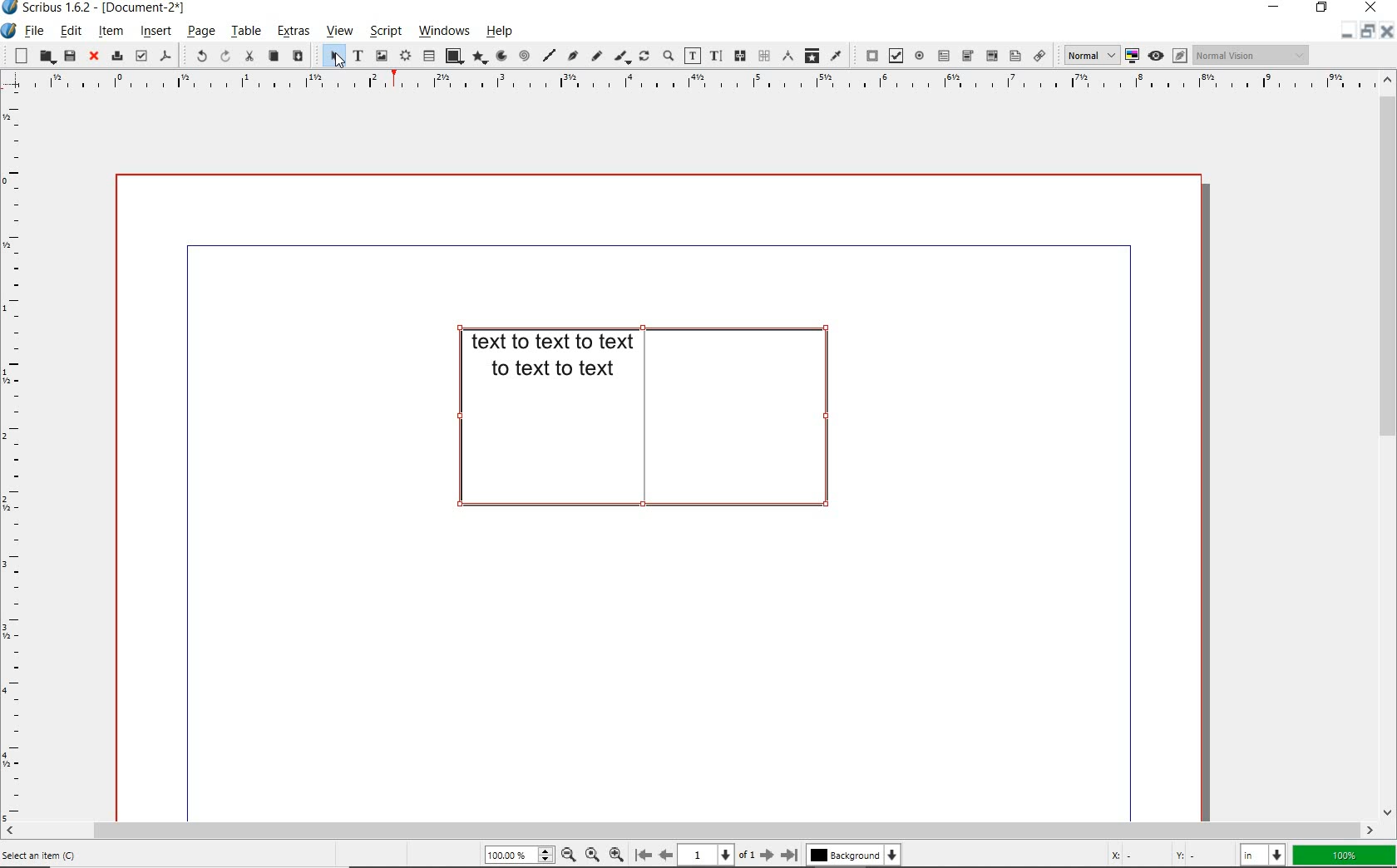 The height and width of the screenshot is (868, 1397). Describe the element at coordinates (141, 55) in the screenshot. I see `preflight verifier` at that location.